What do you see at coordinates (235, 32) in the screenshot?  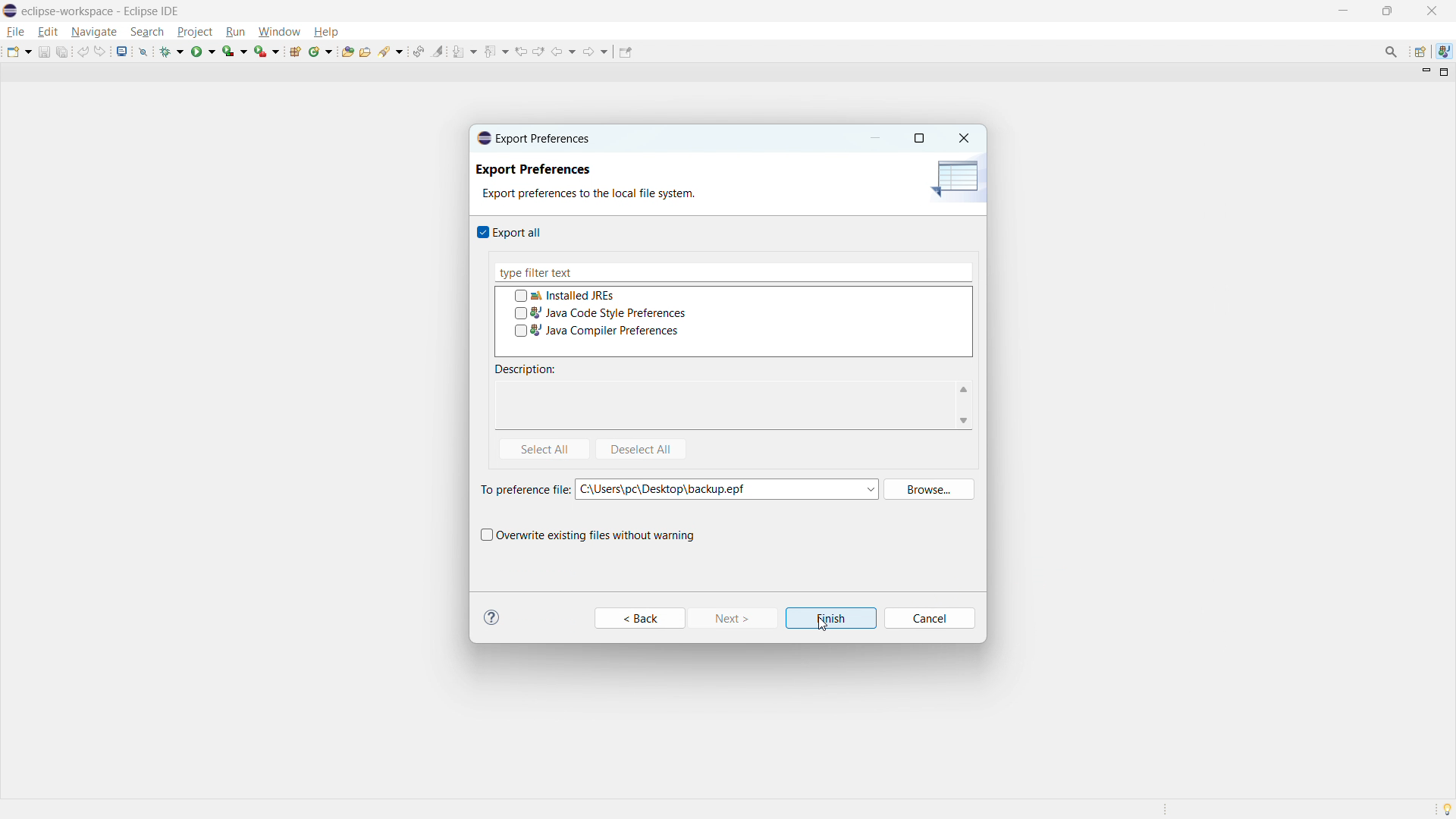 I see `run` at bounding box center [235, 32].